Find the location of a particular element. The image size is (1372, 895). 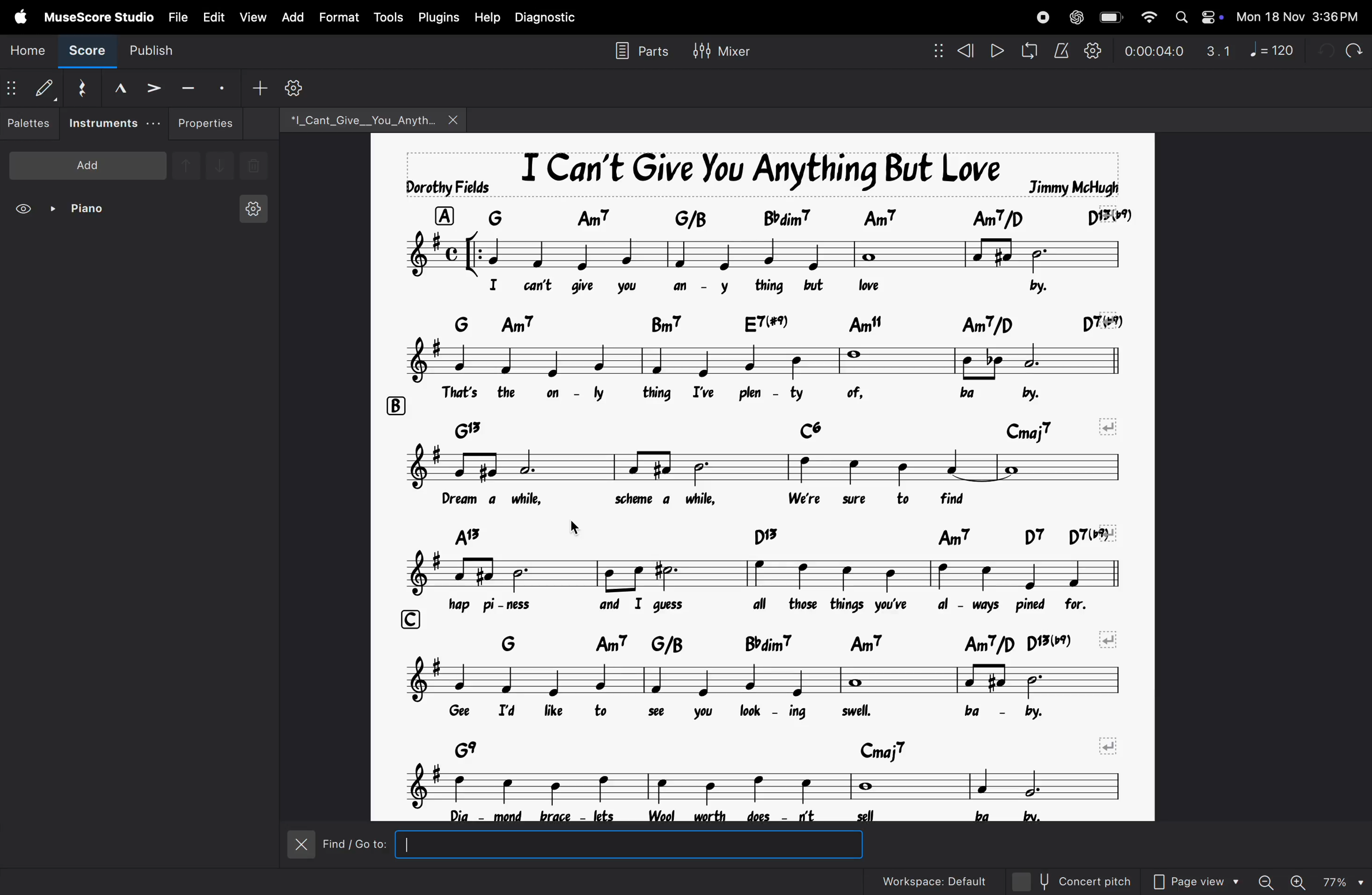

lyrics is located at coordinates (783, 499).